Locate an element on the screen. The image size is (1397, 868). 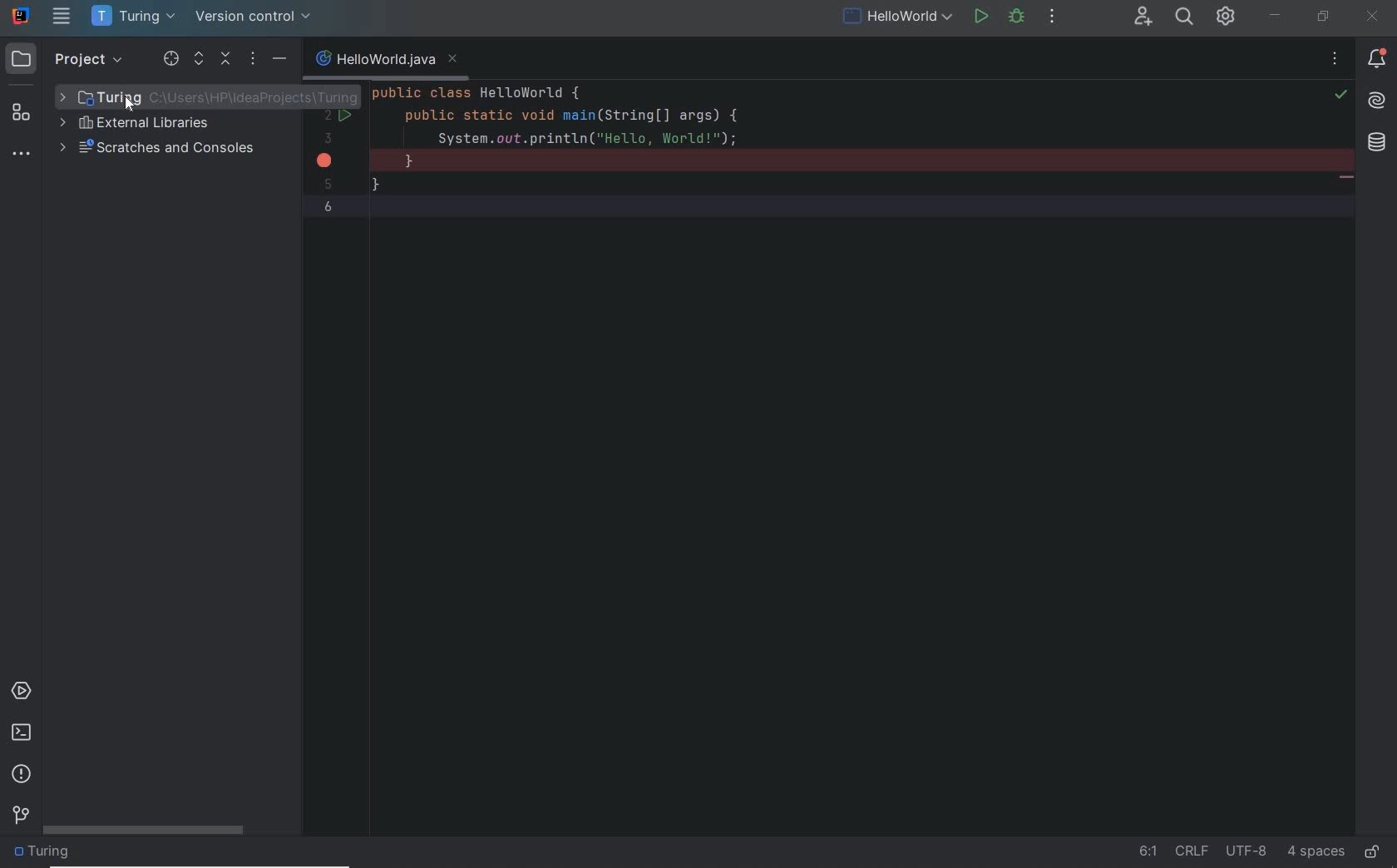
close tab is located at coordinates (453, 60).